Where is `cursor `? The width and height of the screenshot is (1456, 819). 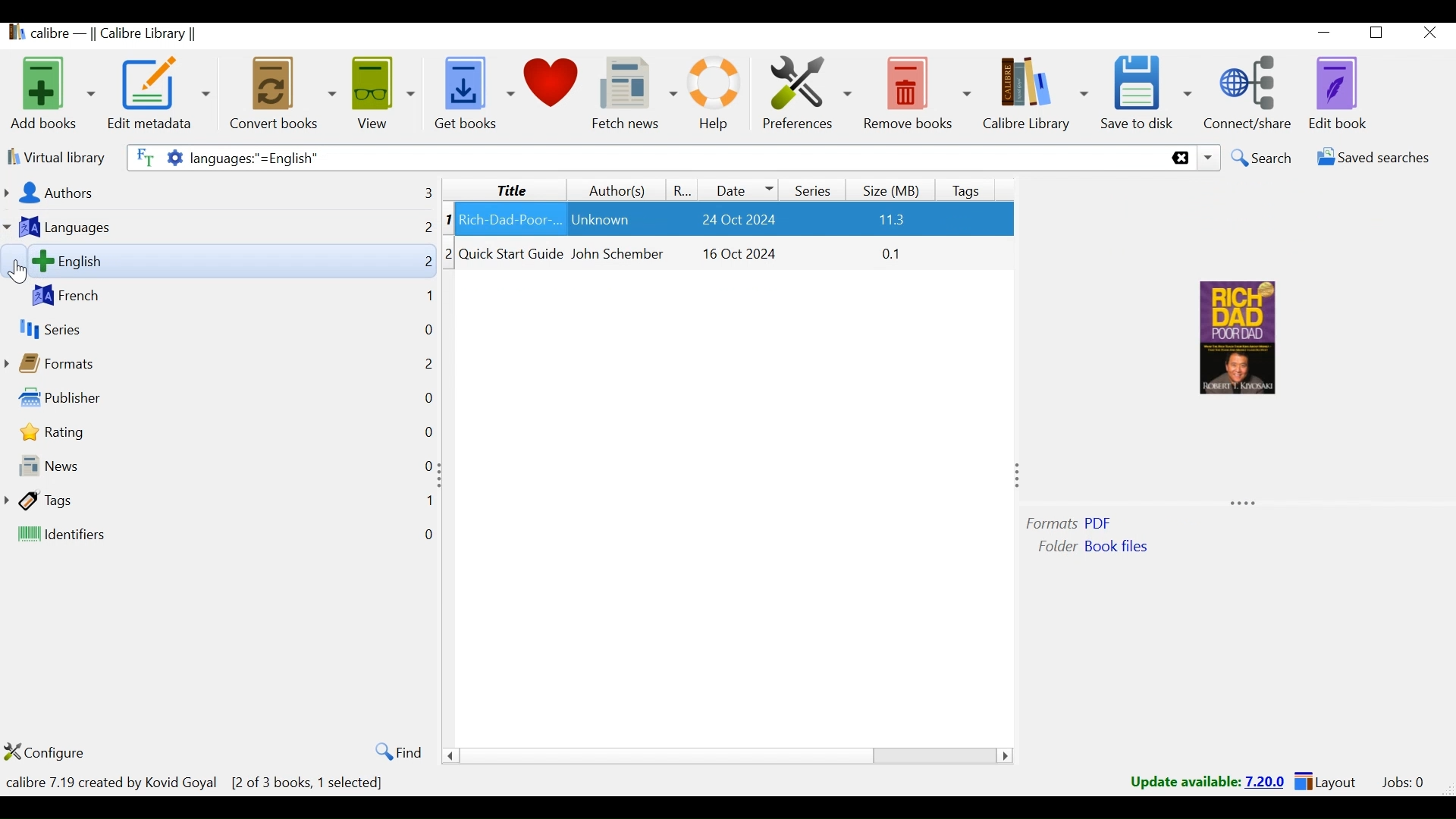
cursor  is located at coordinates (17, 275).